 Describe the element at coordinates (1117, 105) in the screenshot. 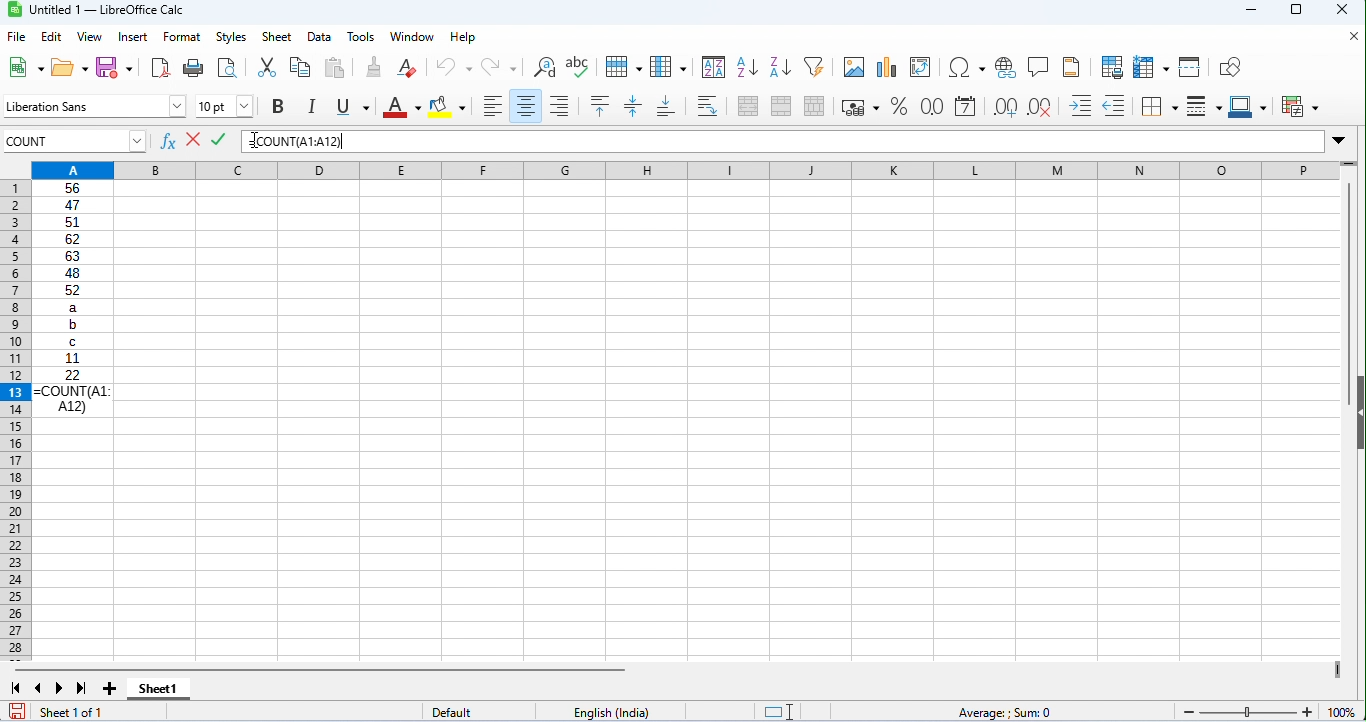

I see `decrease indent` at that location.